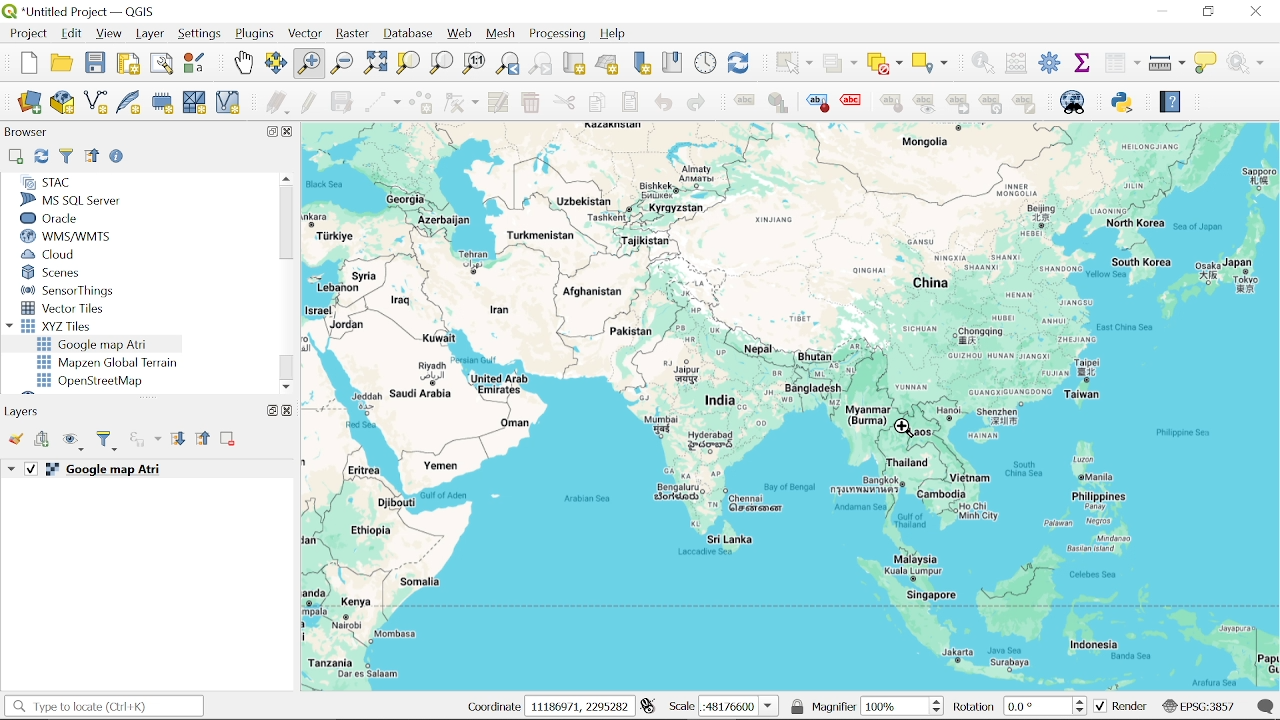  Describe the element at coordinates (1257, 12) in the screenshot. I see `Close` at that location.